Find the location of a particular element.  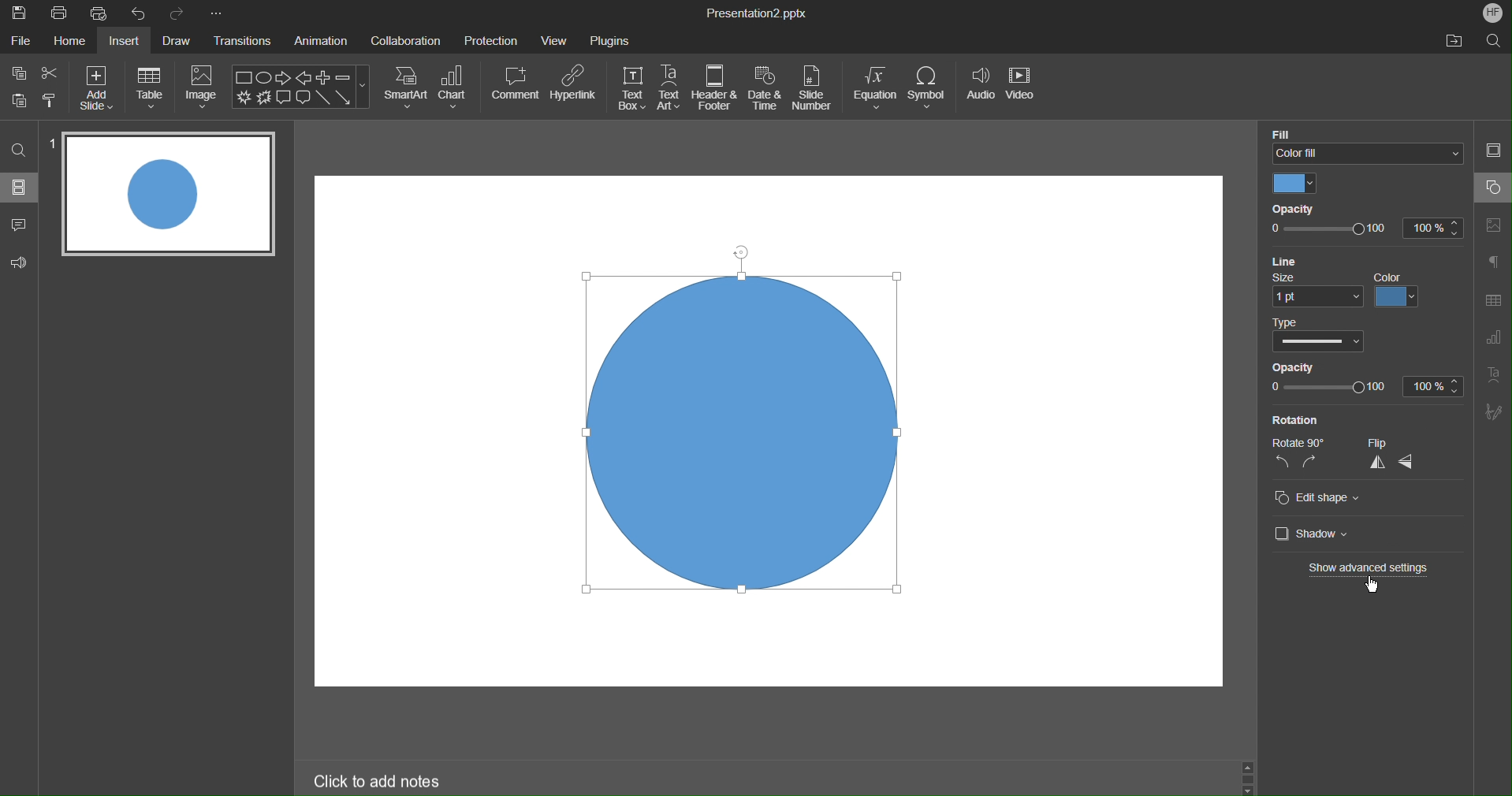

Comment is located at coordinates (516, 83).